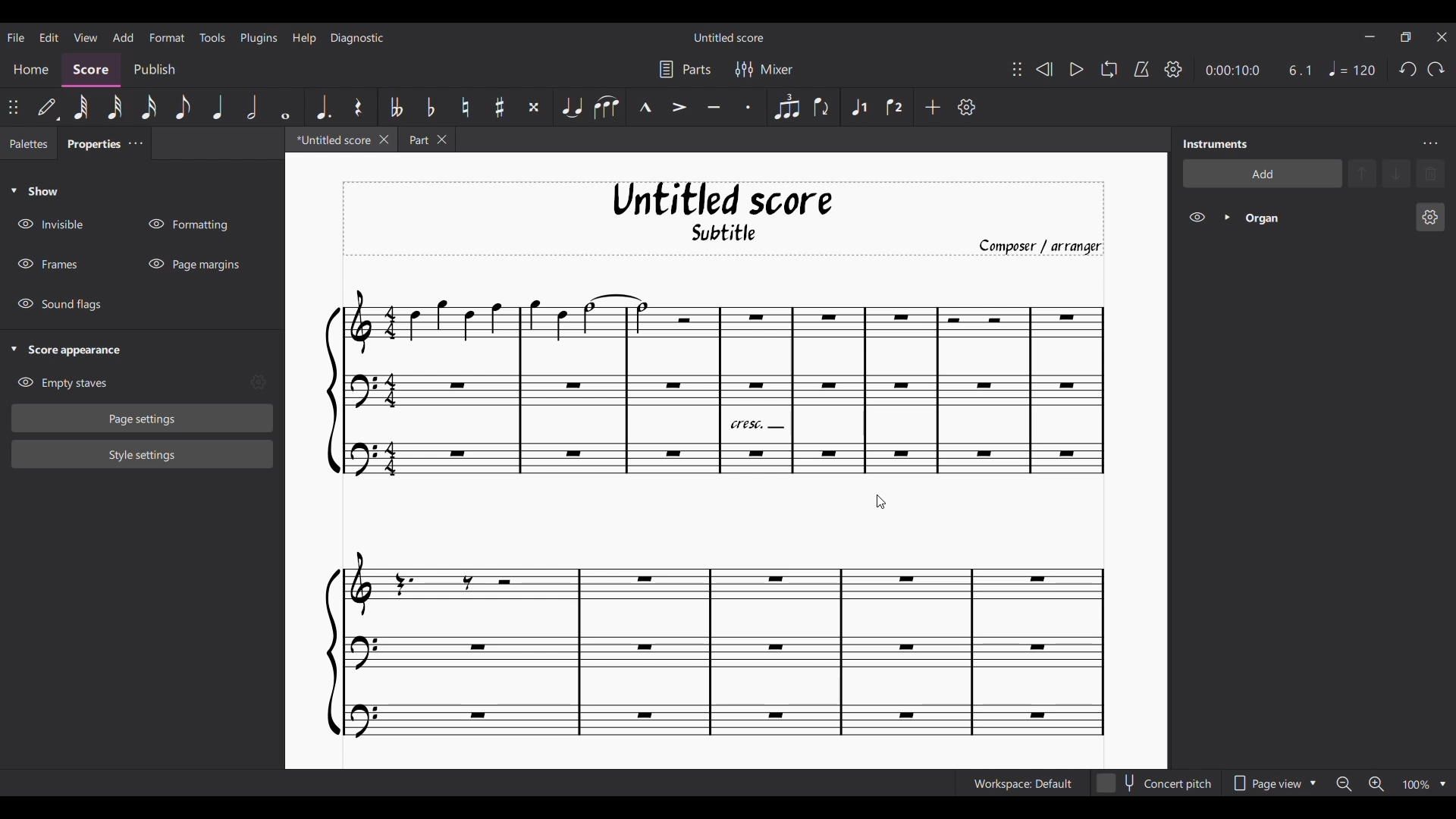 The width and height of the screenshot is (1456, 819). Describe the element at coordinates (123, 36) in the screenshot. I see `Add menu` at that location.